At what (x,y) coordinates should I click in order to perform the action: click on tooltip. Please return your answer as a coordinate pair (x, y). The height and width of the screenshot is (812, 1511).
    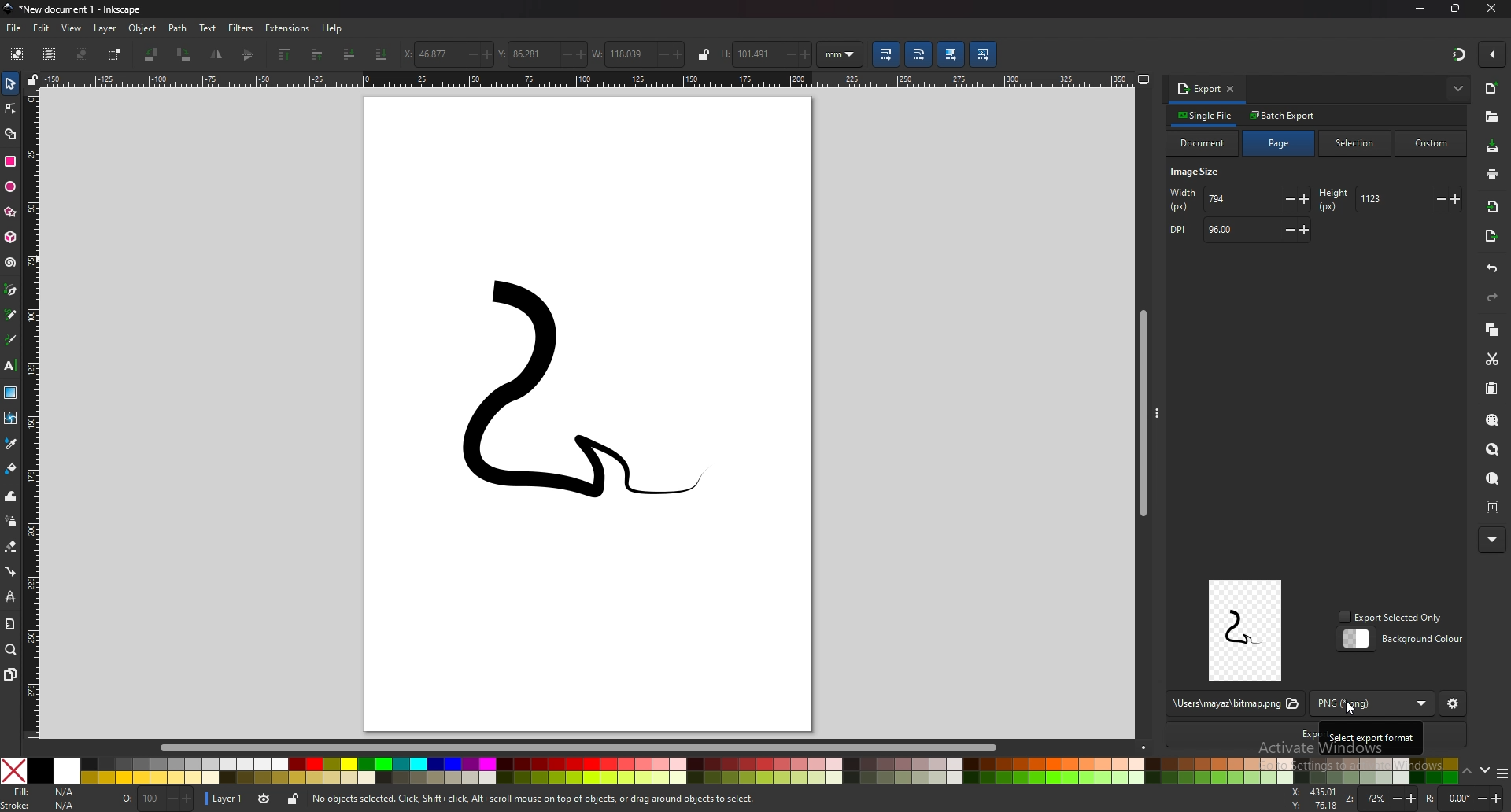
    Looking at the image, I should click on (1371, 736).